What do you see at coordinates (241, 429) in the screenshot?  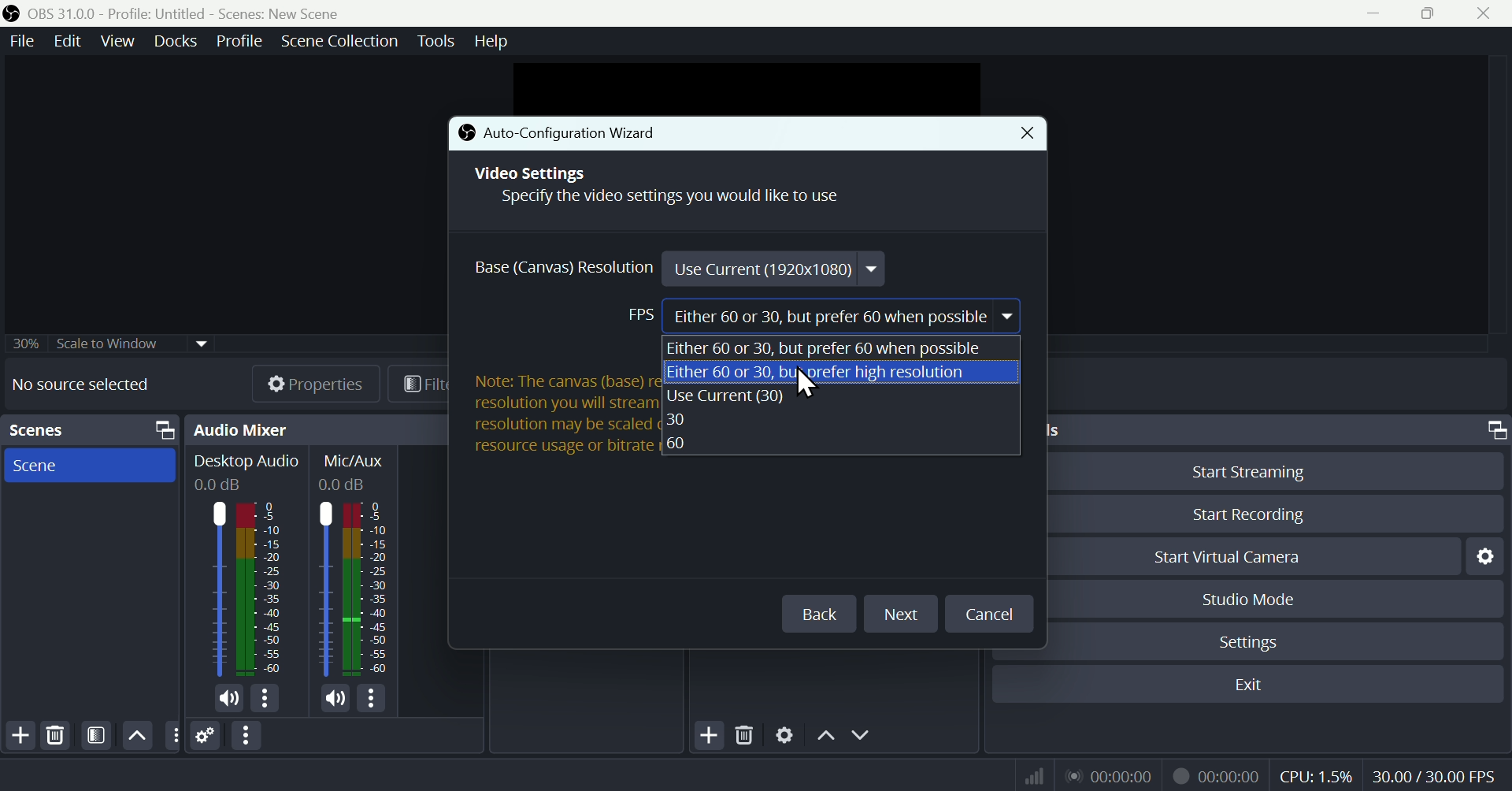 I see `Audio mixer` at bounding box center [241, 429].